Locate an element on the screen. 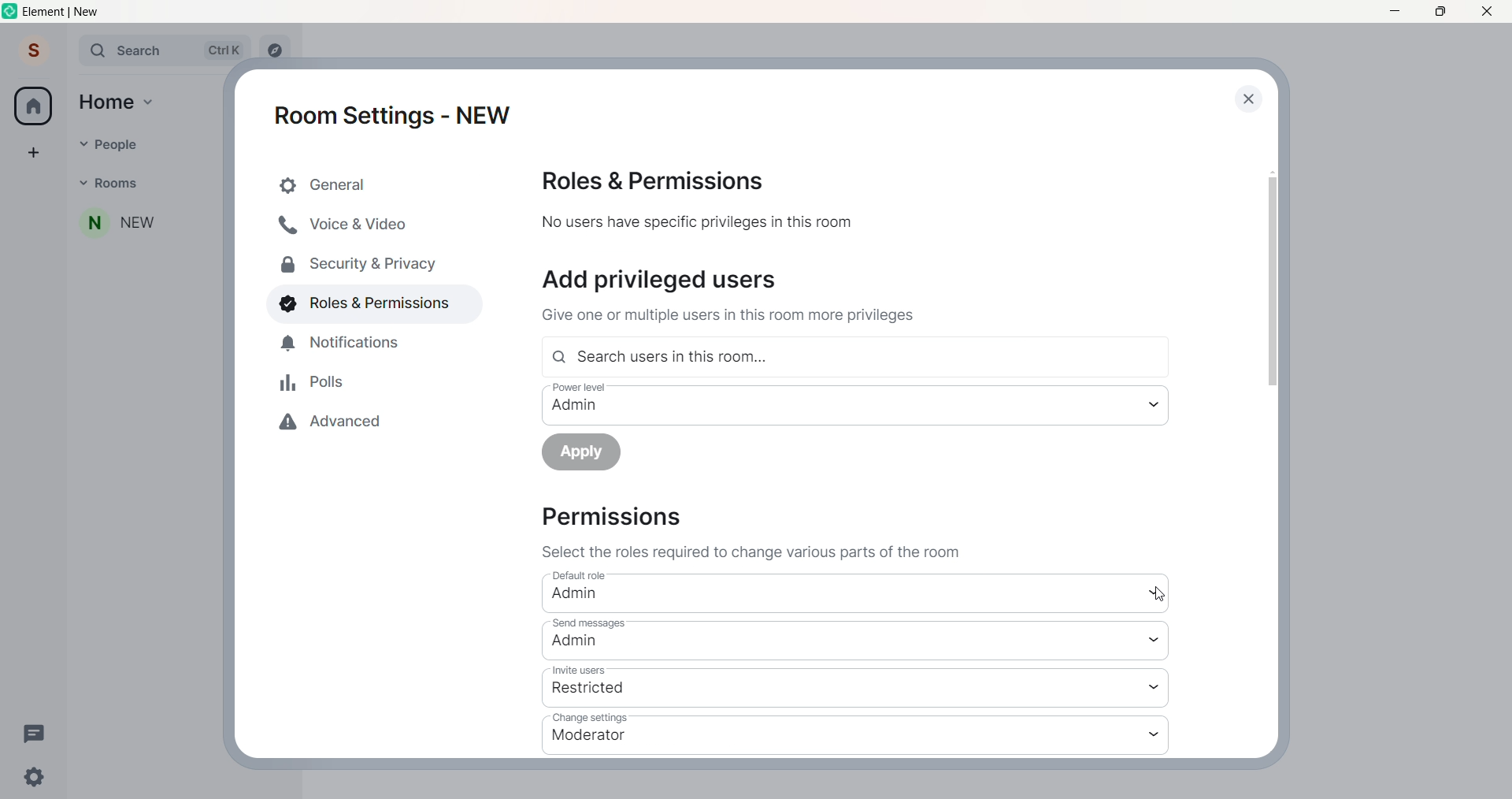  invite users dropdown is located at coordinates (1160, 688).